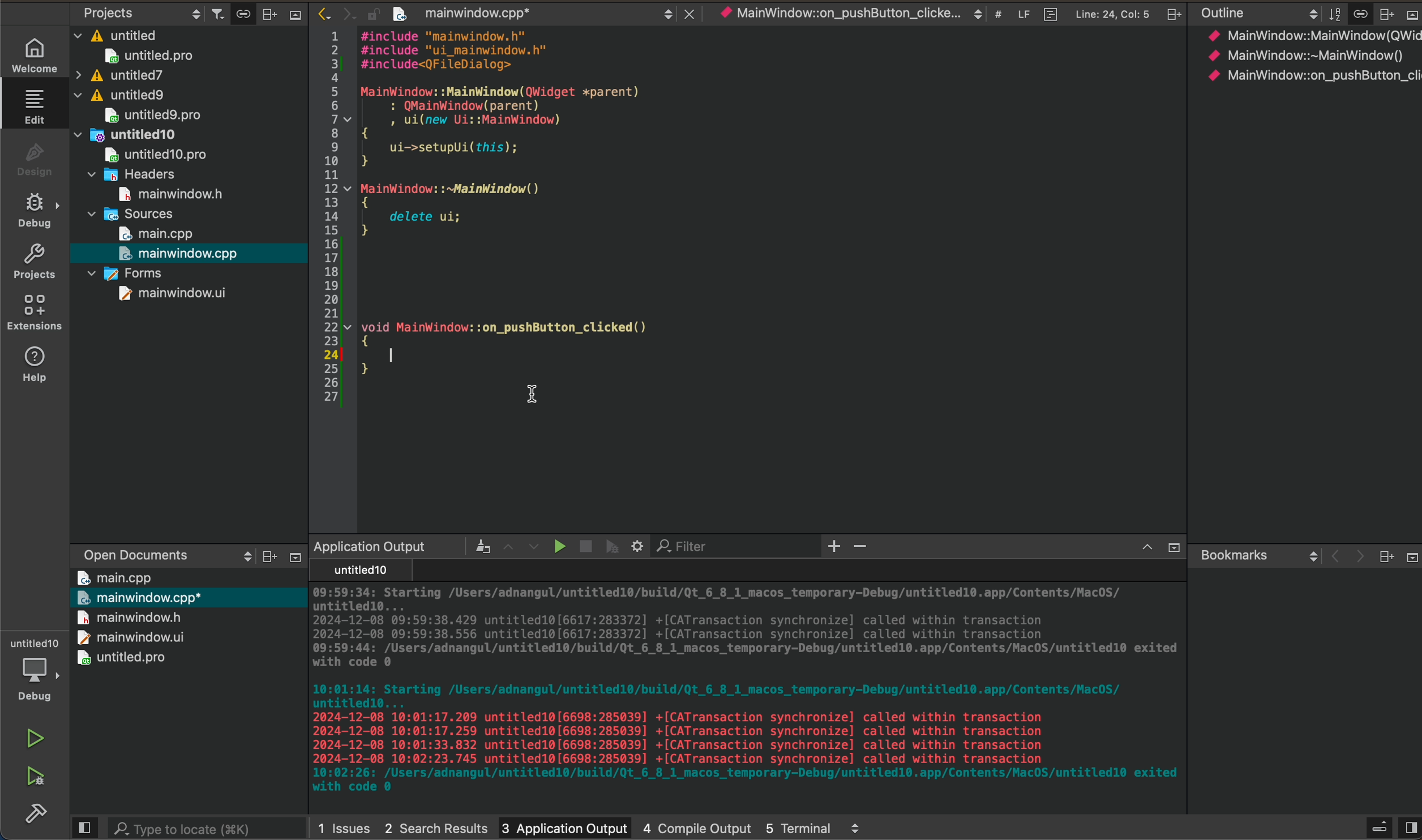  Describe the element at coordinates (1331, 557) in the screenshot. I see `back` at that location.